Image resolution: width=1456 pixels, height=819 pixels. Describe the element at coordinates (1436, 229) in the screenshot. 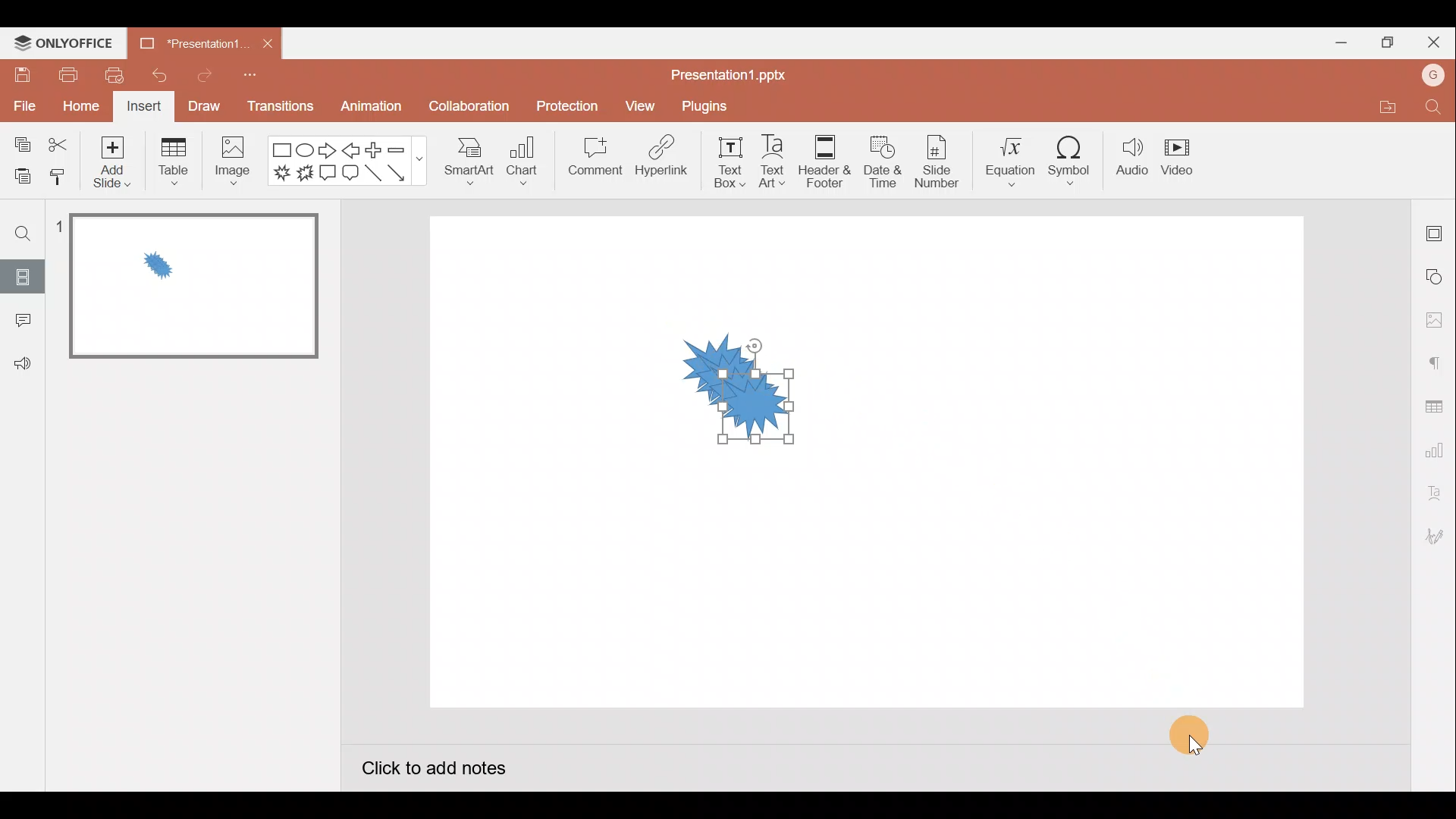

I see `Slide settings` at that location.